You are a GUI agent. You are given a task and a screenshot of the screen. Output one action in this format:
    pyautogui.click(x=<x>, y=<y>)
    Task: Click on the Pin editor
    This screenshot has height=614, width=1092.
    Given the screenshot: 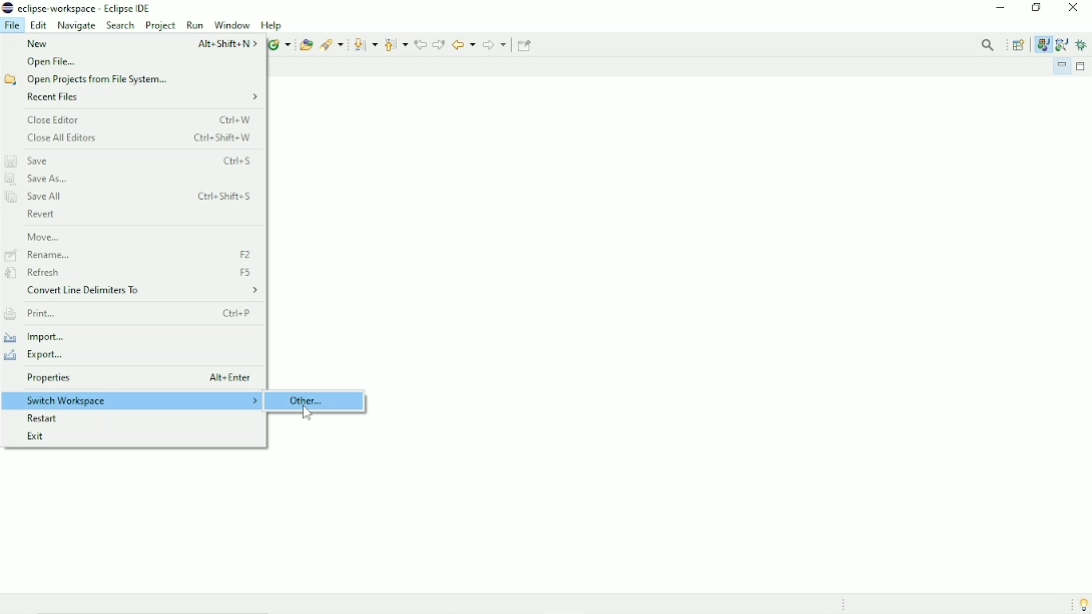 What is the action you would take?
    pyautogui.click(x=526, y=45)
    